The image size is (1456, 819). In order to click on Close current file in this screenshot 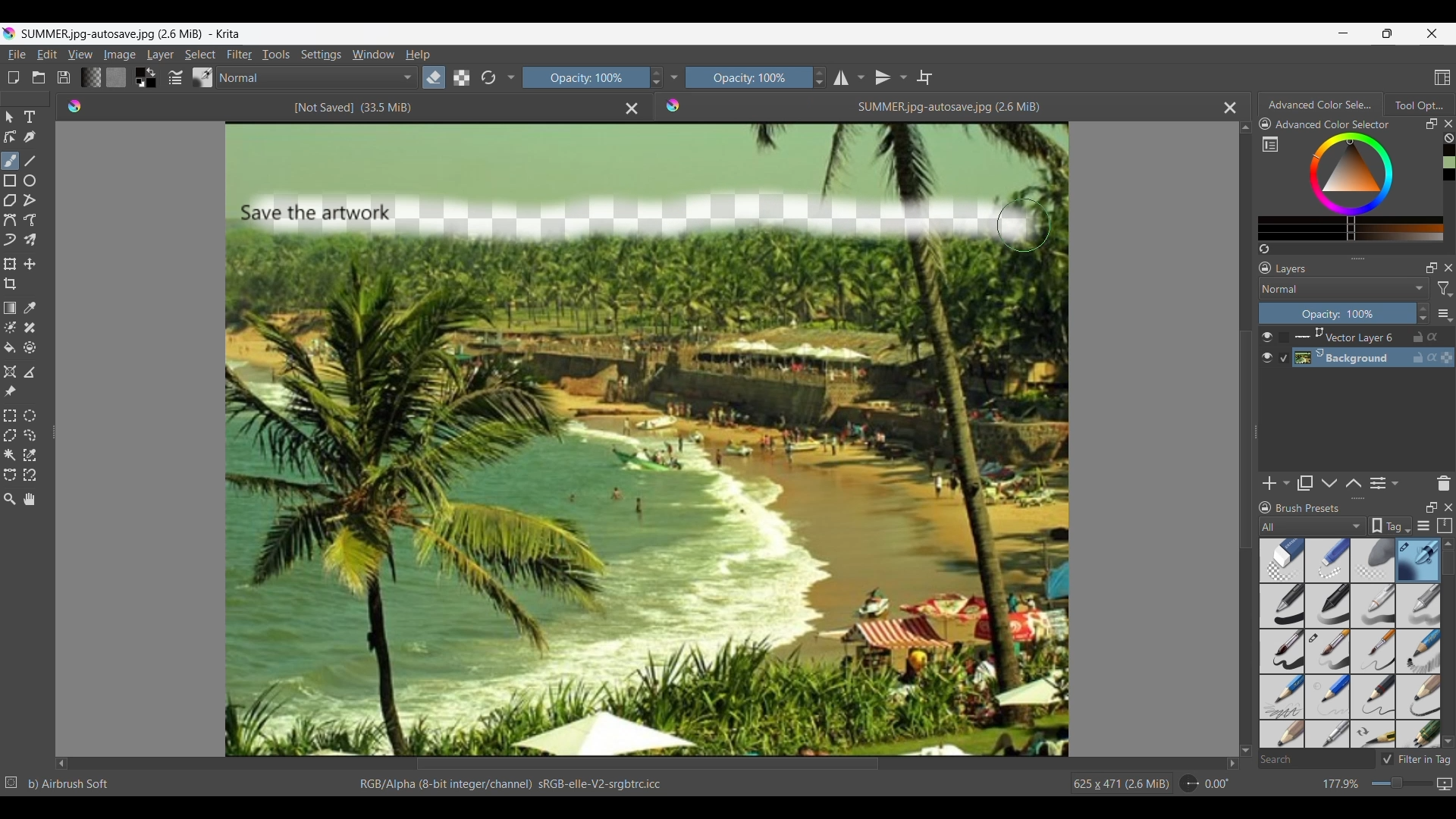, I will do `click(1231, 108)`.